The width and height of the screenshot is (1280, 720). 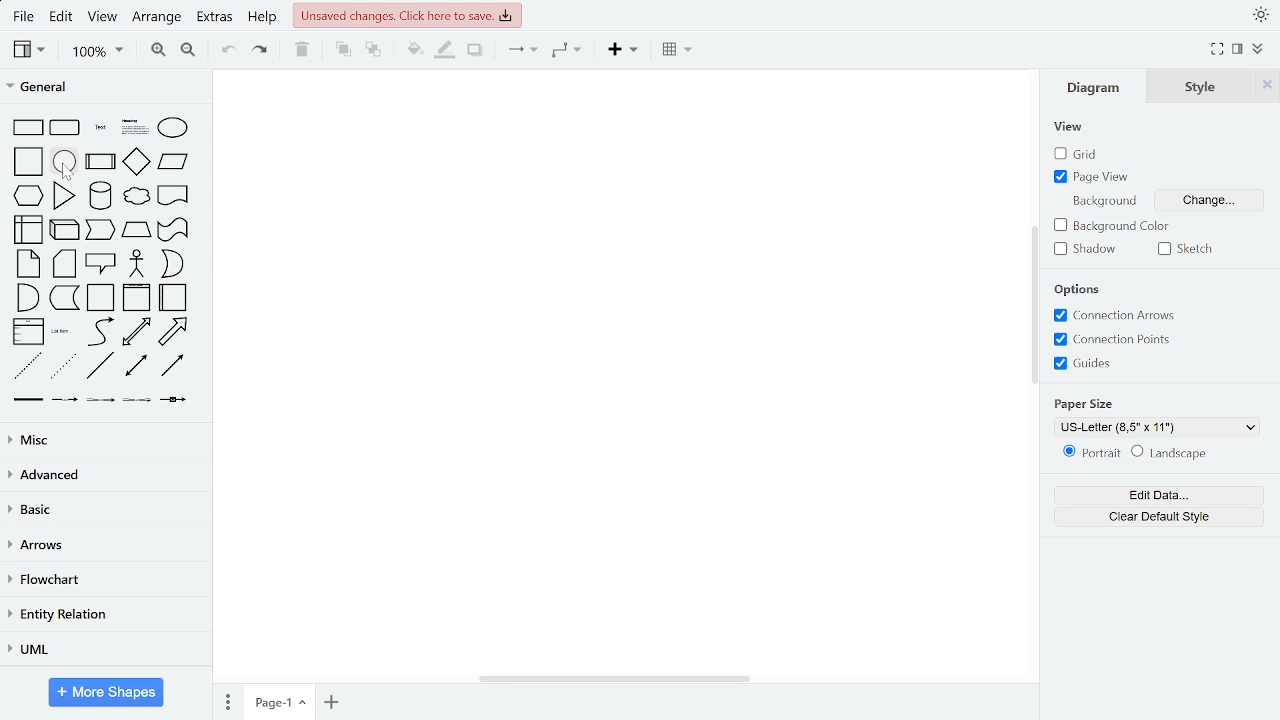 I want to click on UML, so click(x=106, y=651).